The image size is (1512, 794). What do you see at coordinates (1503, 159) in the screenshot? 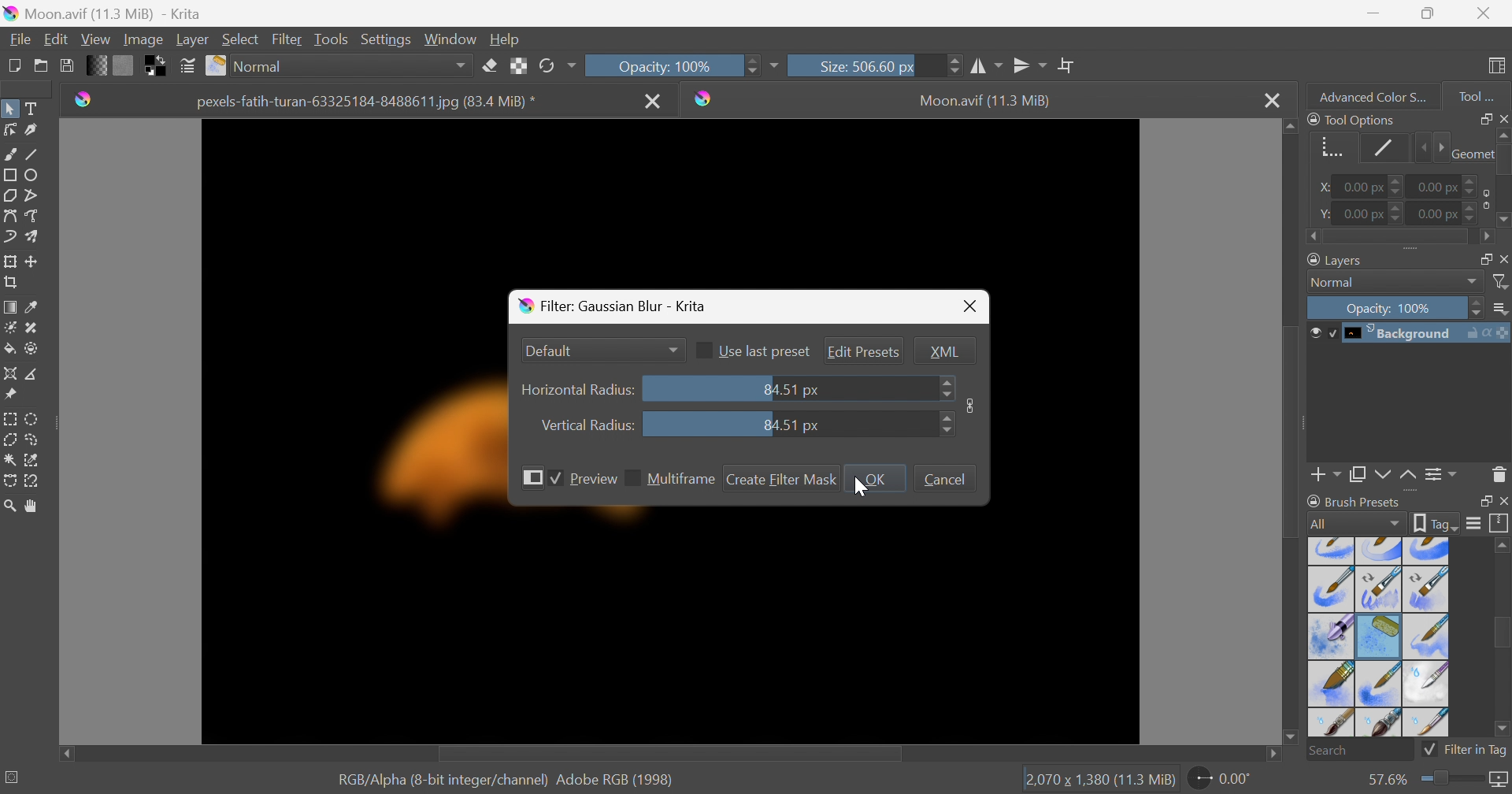
I see `Scroll bar` at bounding box center [1503, 159].